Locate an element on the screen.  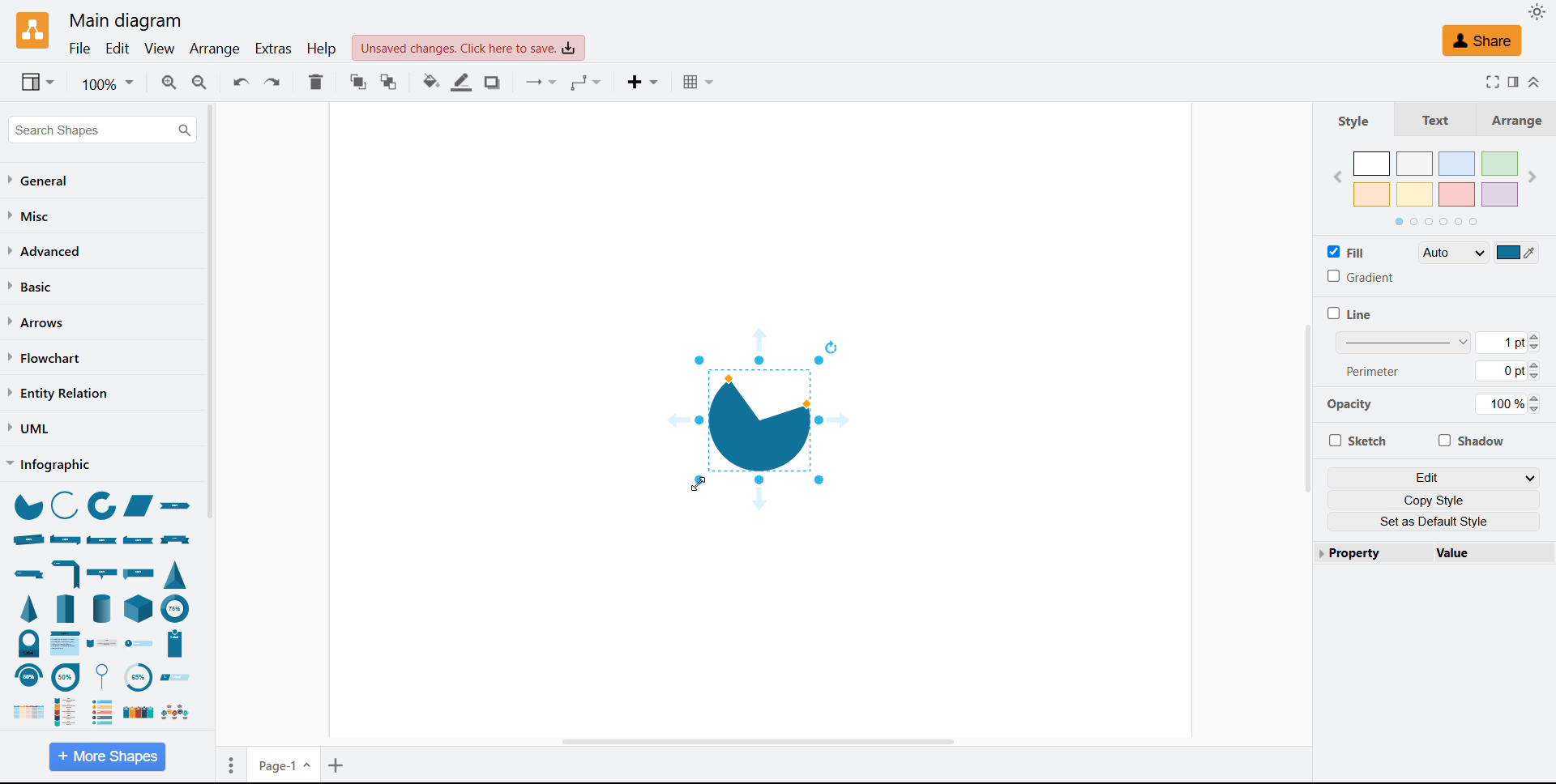
roadmap  horizontal is located at coordinates (174, 713).